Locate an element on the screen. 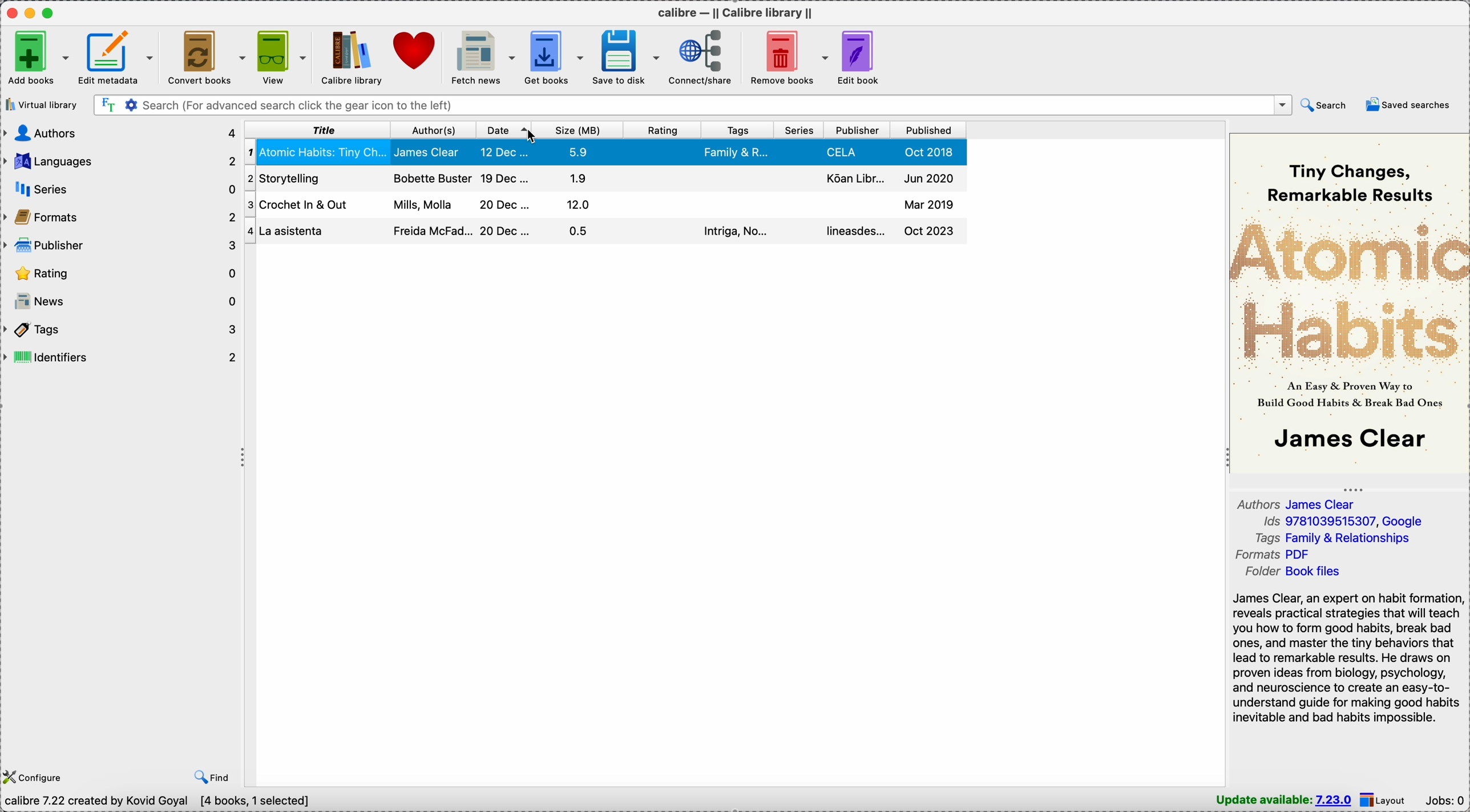 Image resolution: width=1470 pixels, height=812 pixels. Ids 9781039515307, Google is located at coordinates (1342, 521).